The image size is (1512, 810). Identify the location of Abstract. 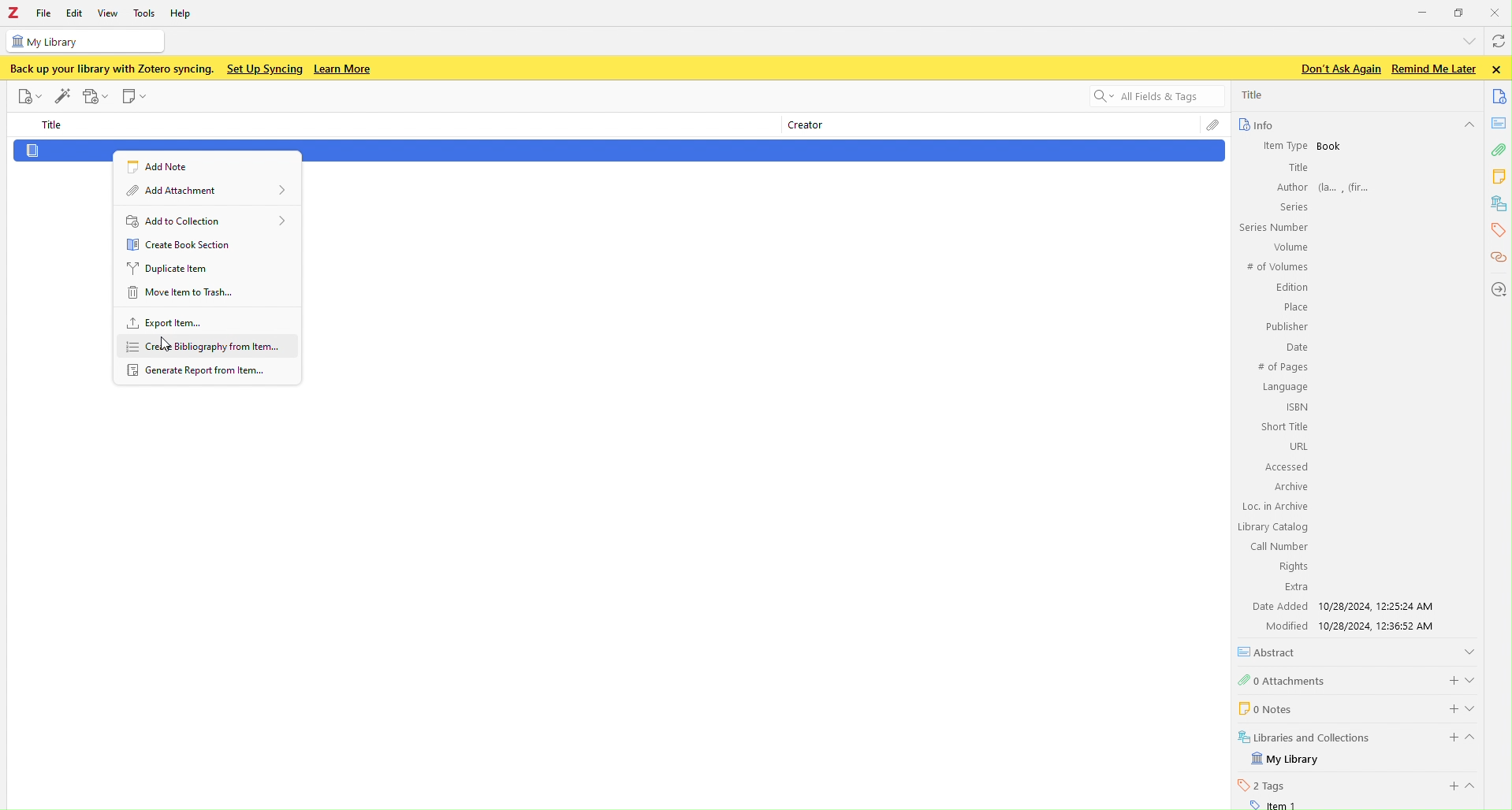
(1272, 652).